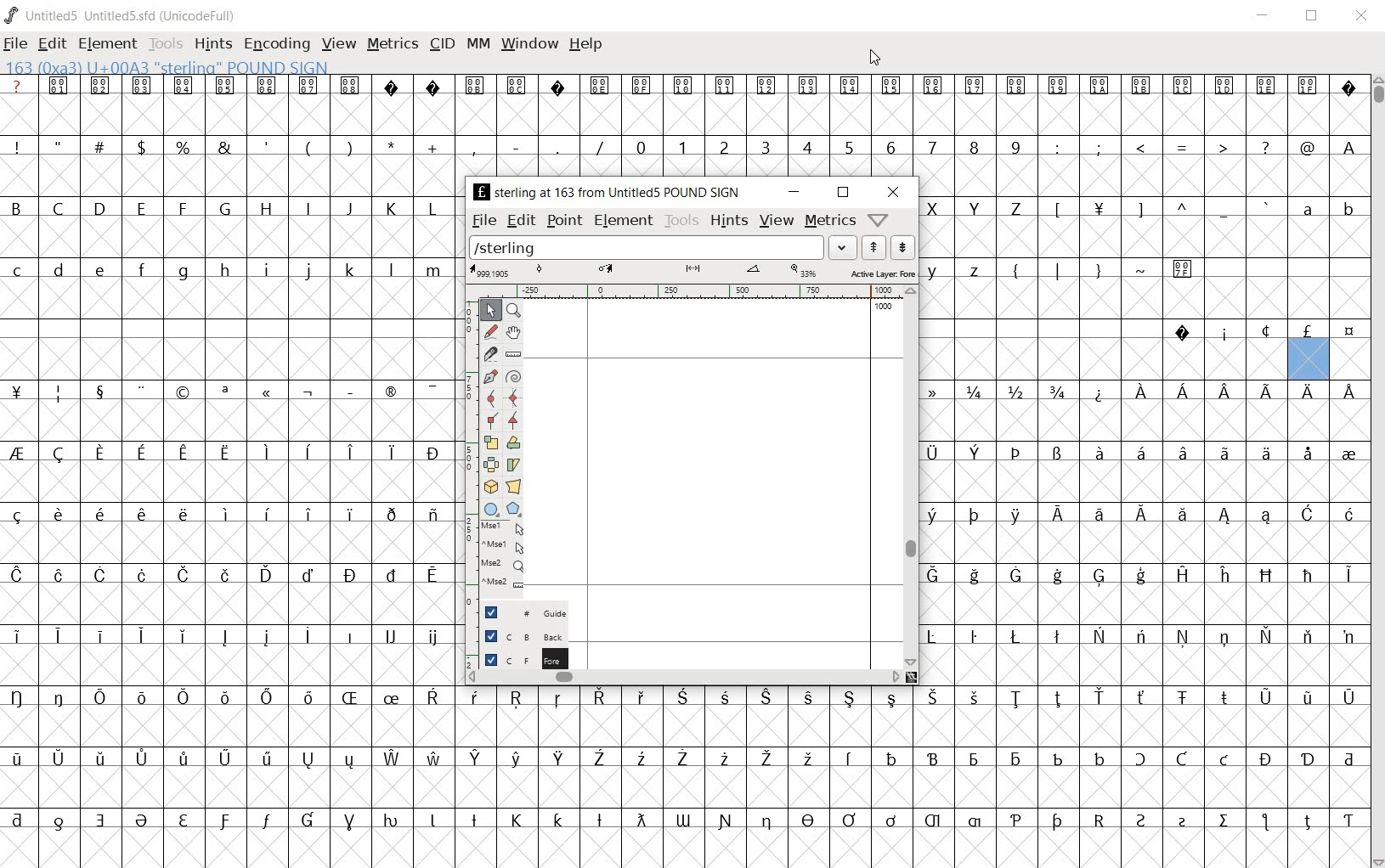 The height and width of the screenshot is (868, 1385). Describe the element at coordinates (19, 270) in the screenshot. I see `c` at that location.